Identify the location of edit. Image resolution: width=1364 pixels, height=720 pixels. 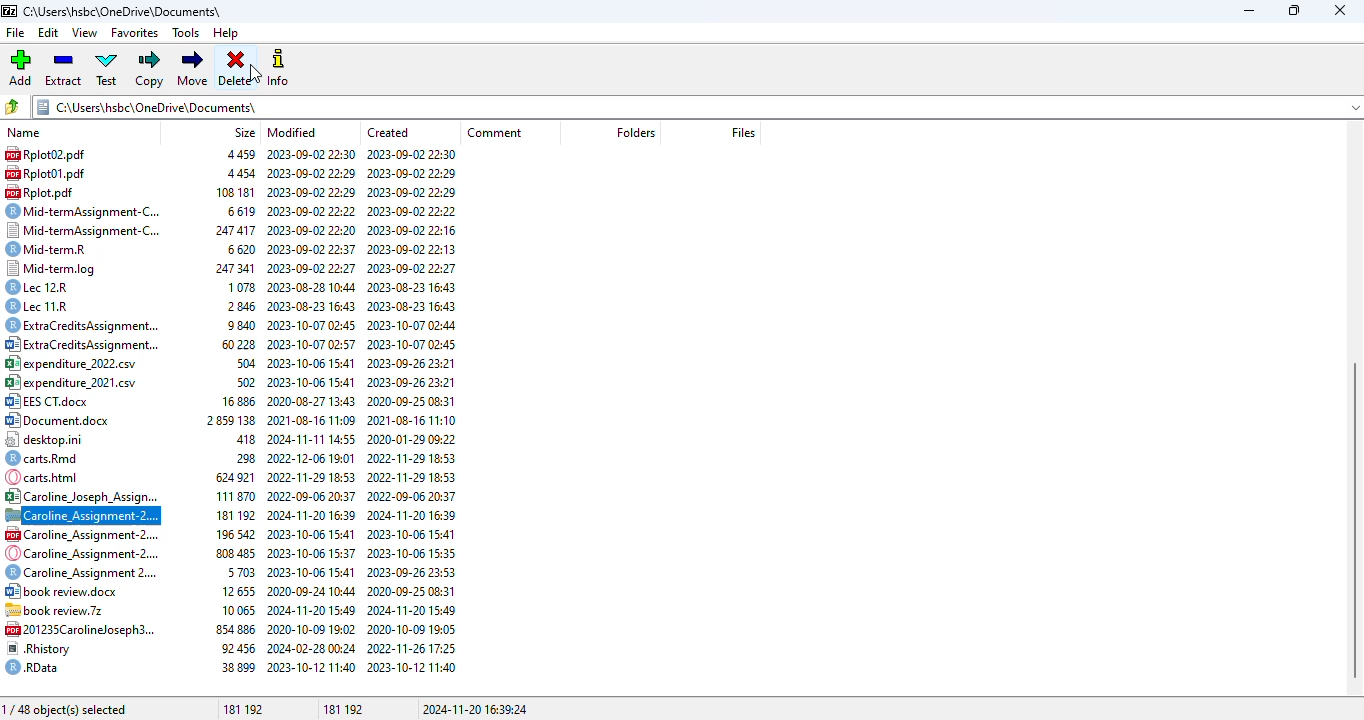
(49, 33).